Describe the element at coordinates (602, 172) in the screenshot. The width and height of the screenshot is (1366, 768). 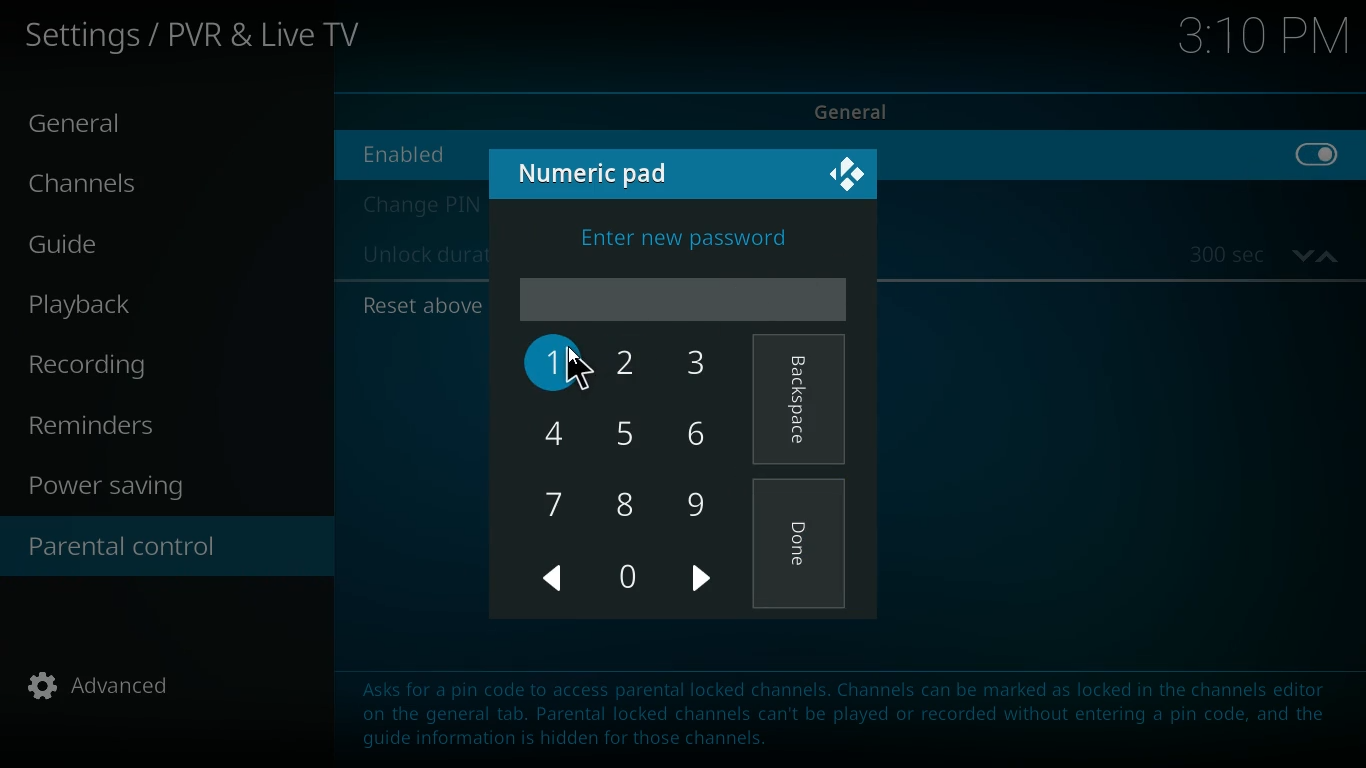
I see `numeric pad` at that location.